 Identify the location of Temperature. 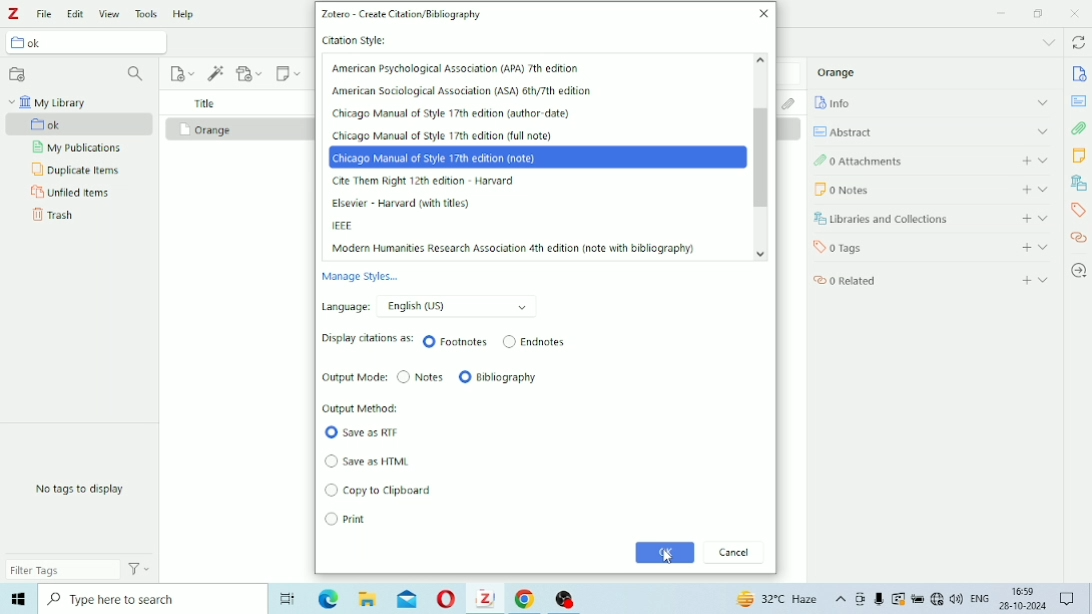
(779, 600).